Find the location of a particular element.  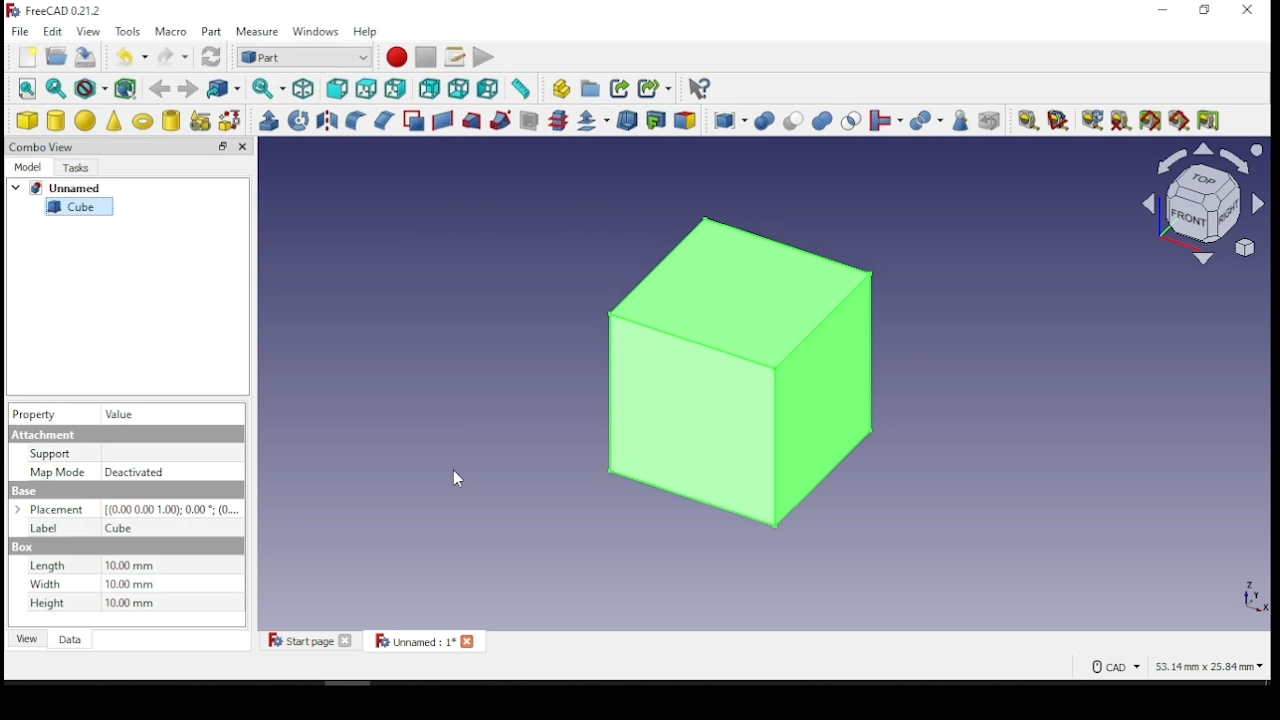

isometric is located at coordinates (304, 90).